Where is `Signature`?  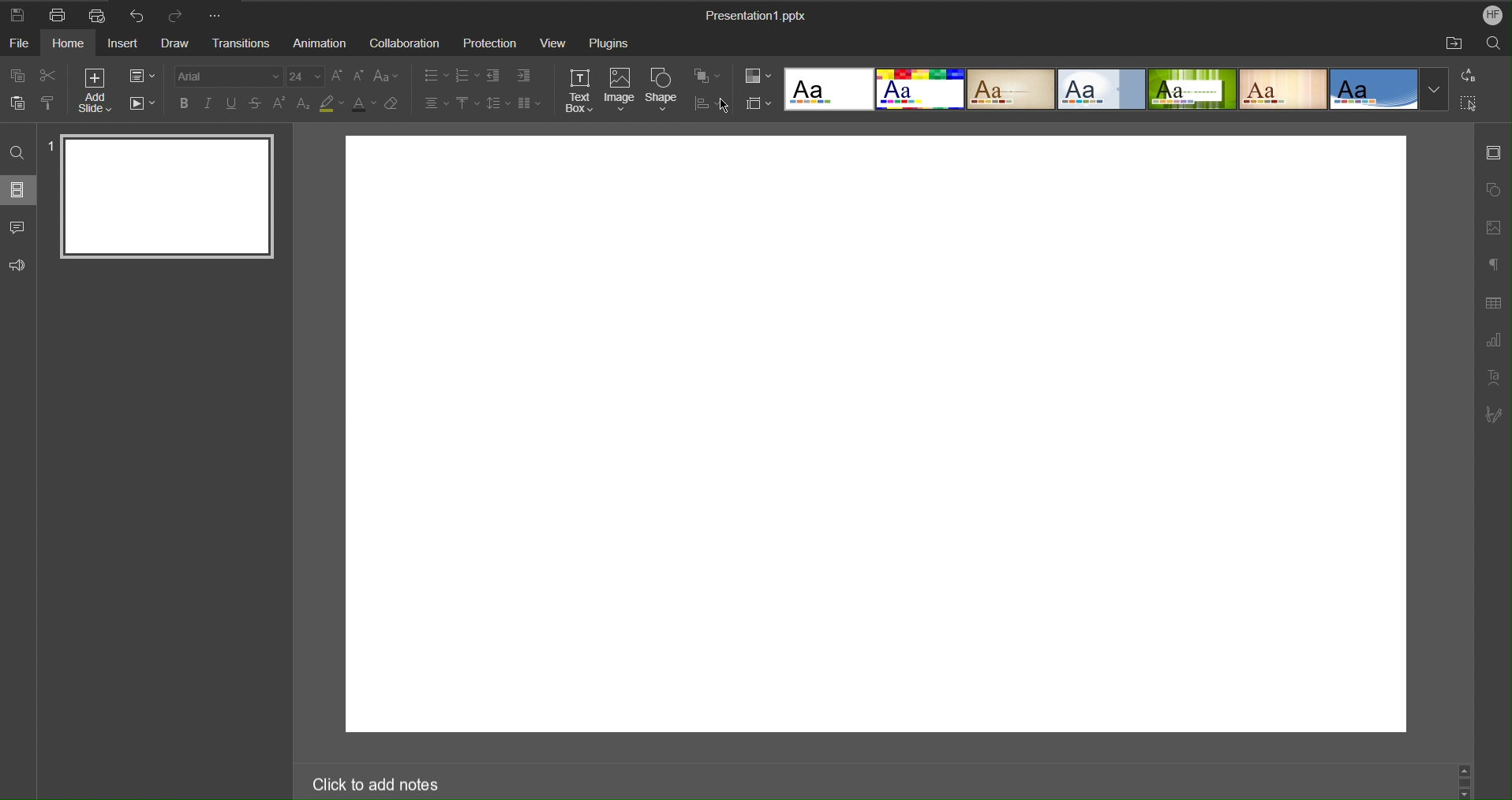 Signature is located at coordinates (1493, 417).